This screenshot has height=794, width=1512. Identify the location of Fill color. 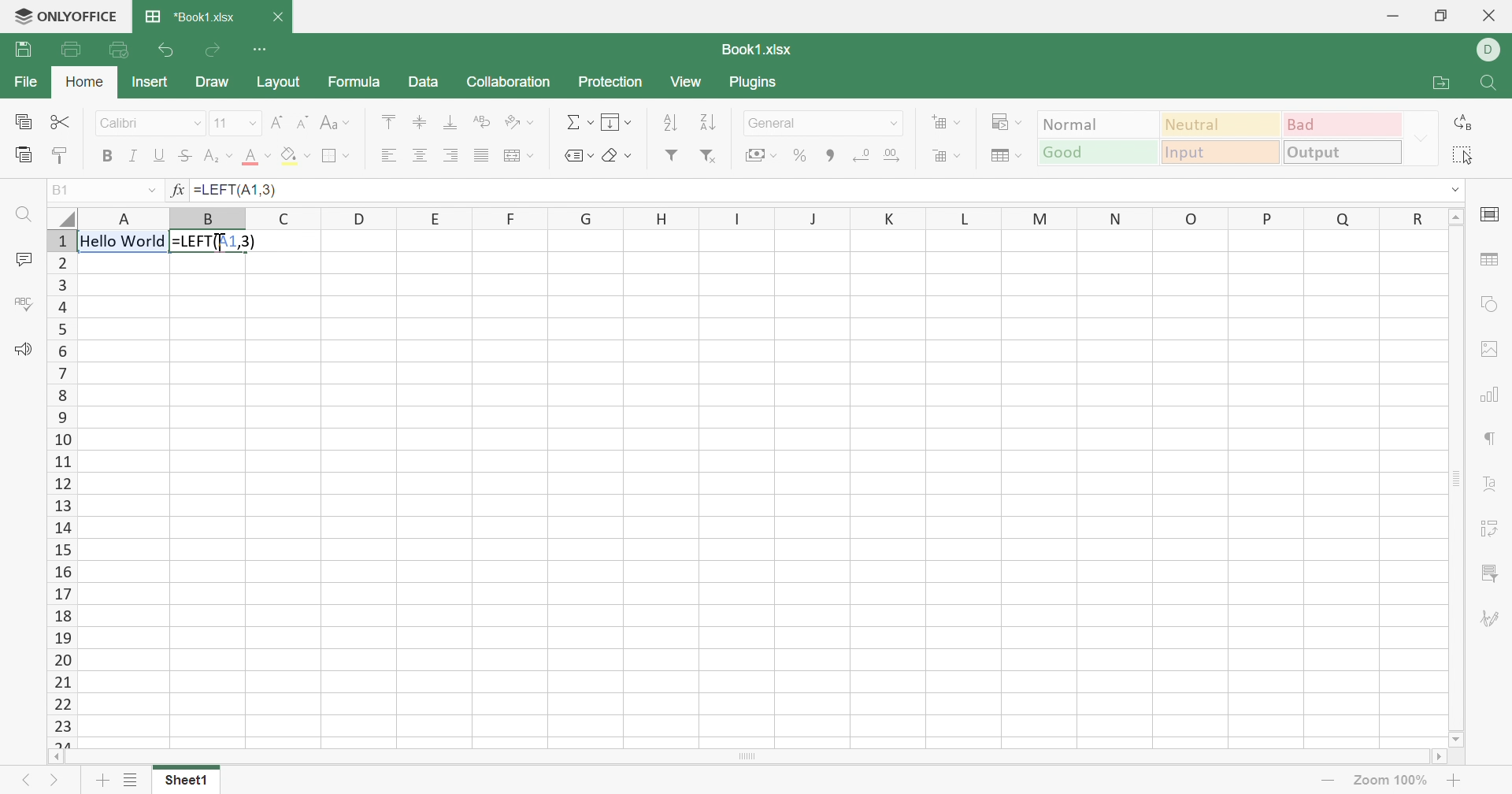
(297, 156).